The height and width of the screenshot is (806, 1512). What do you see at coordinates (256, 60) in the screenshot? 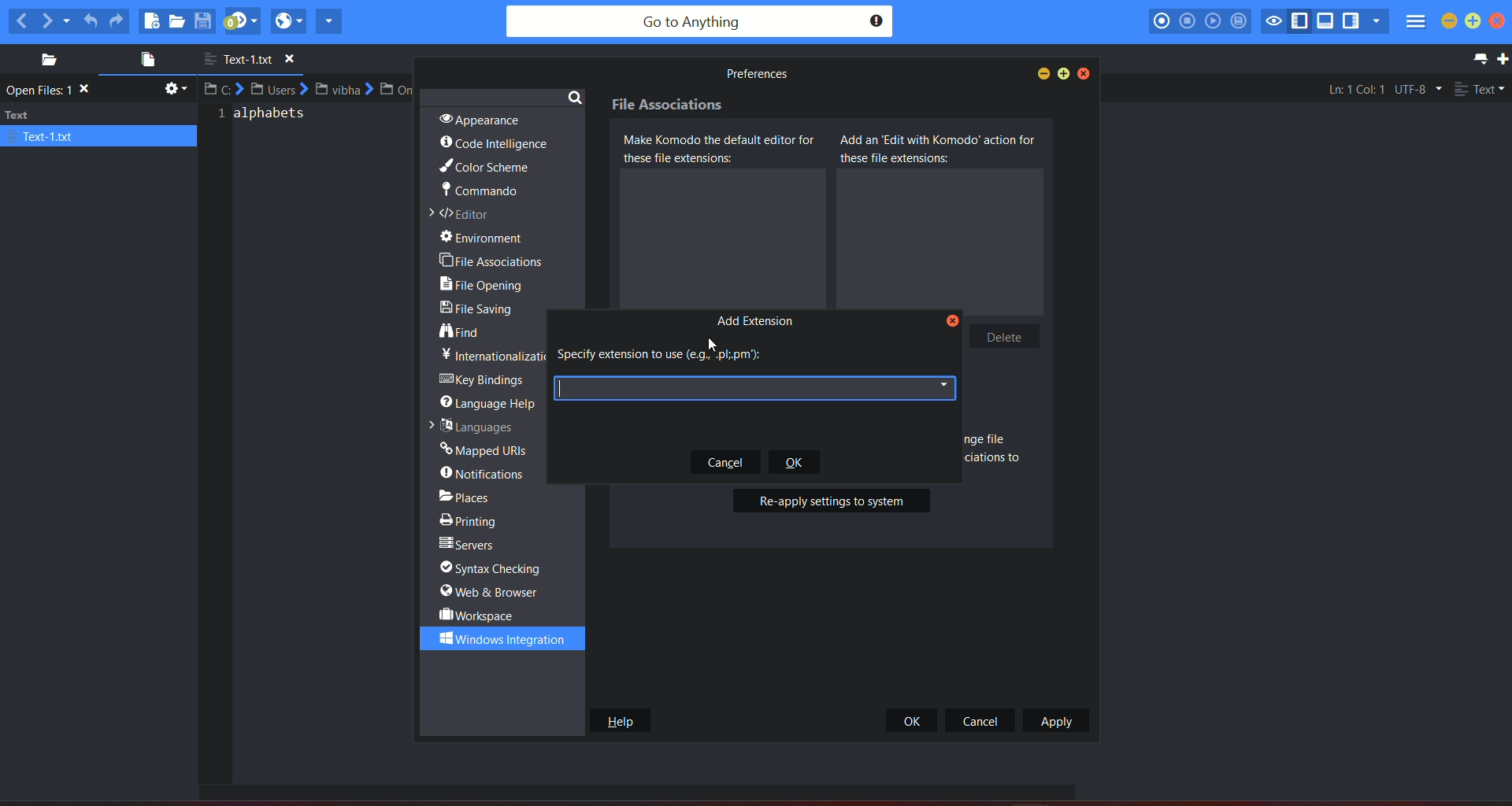
I see `file name` at bounding box center [256, 60].